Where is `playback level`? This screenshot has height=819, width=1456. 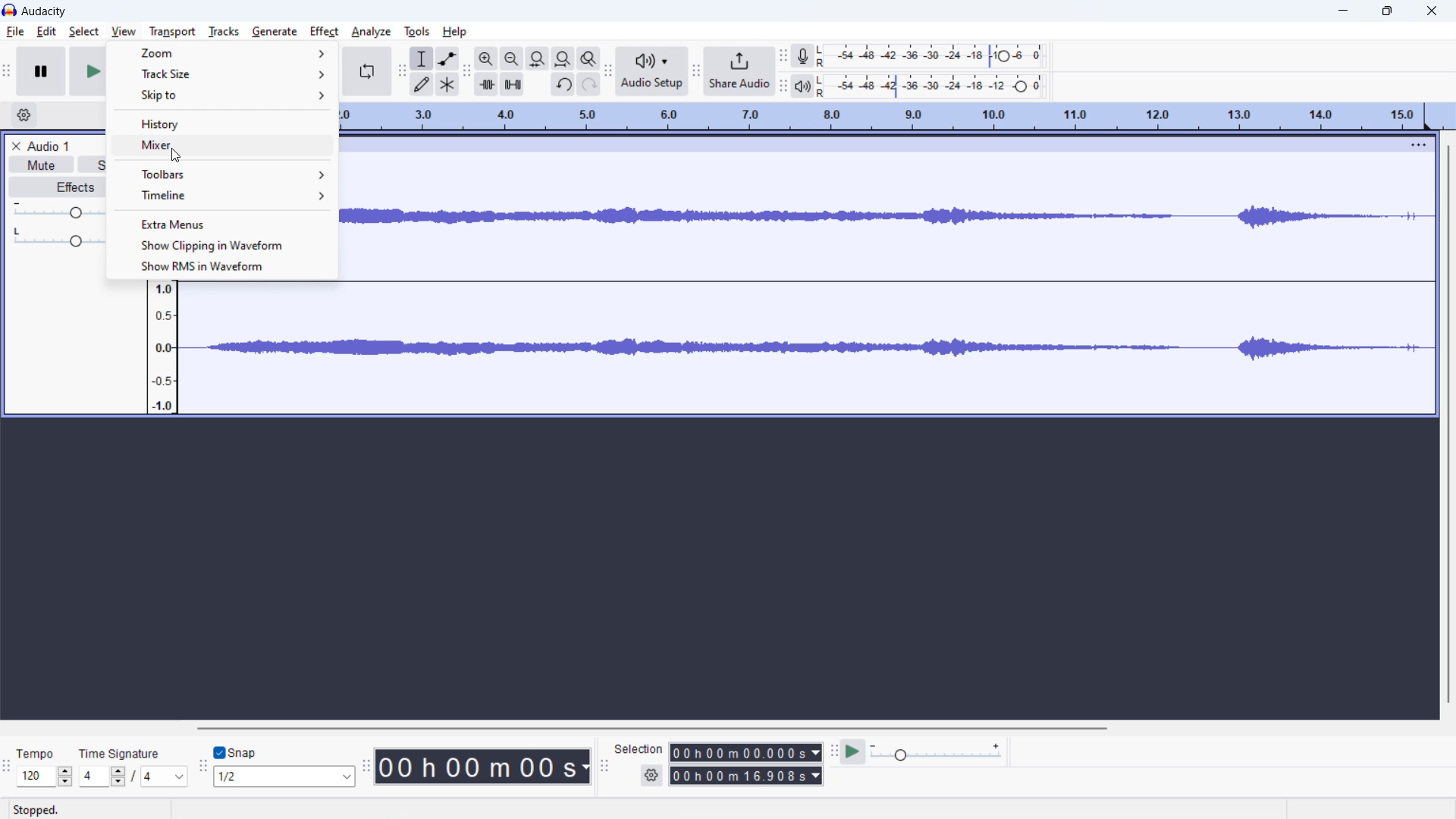
playback level is located at coordinates (947, 86).